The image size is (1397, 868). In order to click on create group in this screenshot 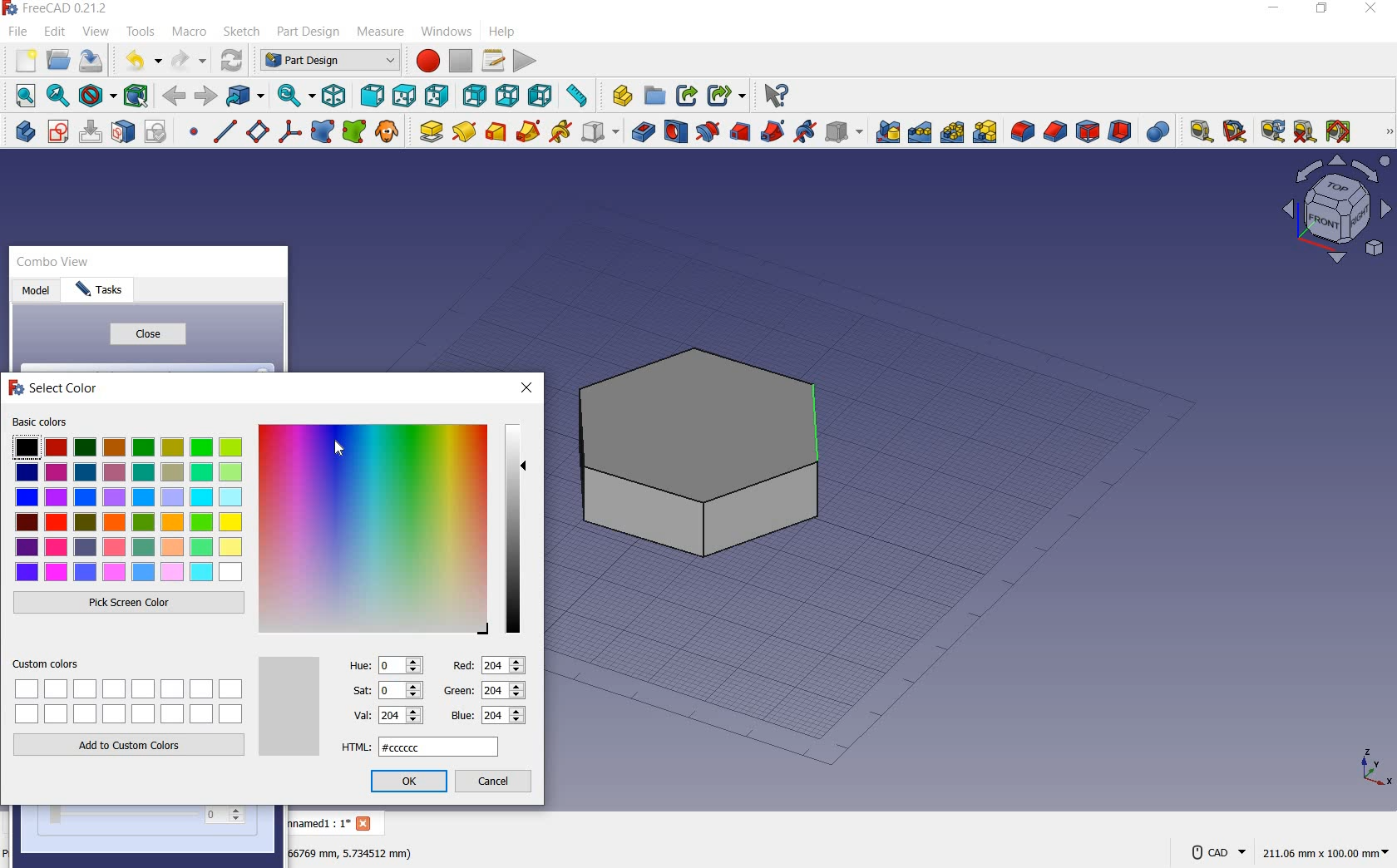, I will do `click(655, 96)`.